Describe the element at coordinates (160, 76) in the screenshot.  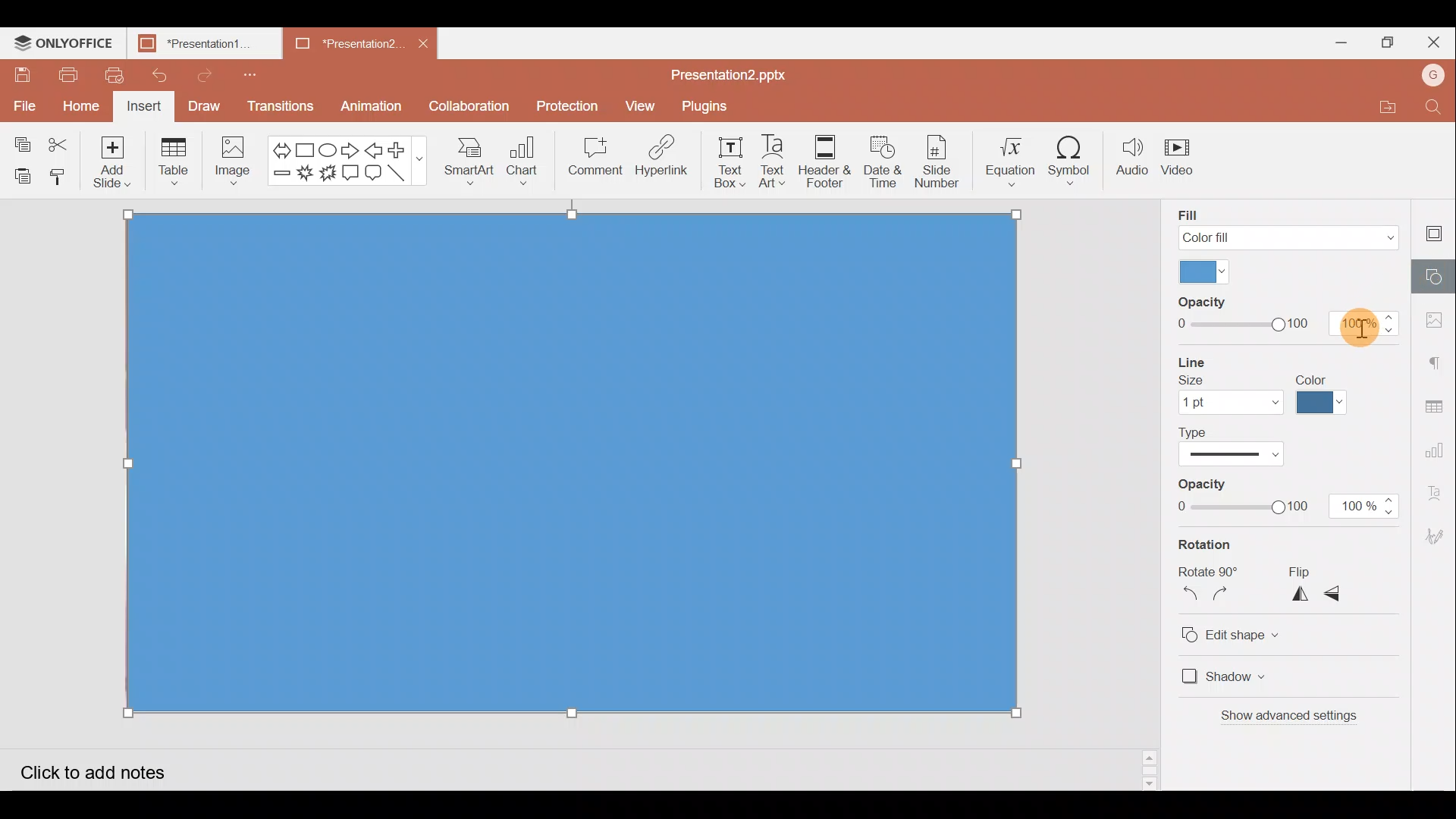
I see `Undo` at that location.